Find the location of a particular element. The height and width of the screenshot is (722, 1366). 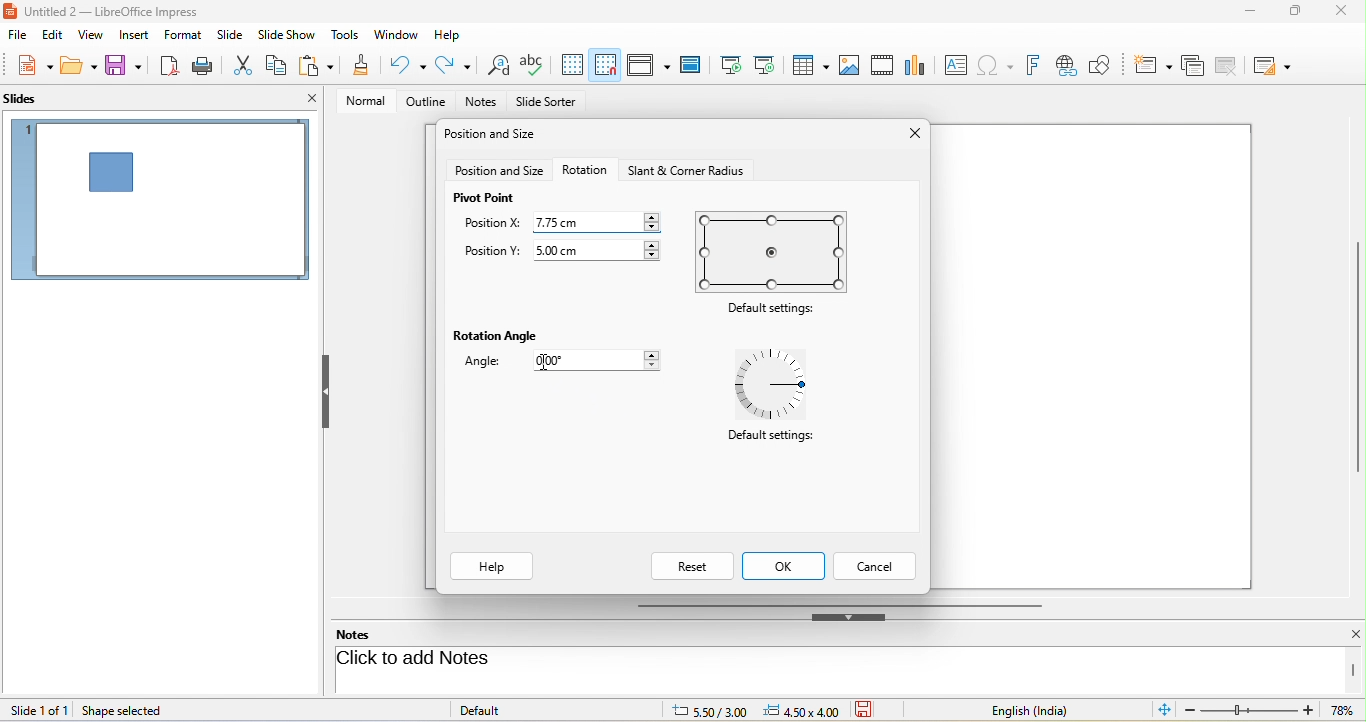

default is located at coordinates (502, 709).